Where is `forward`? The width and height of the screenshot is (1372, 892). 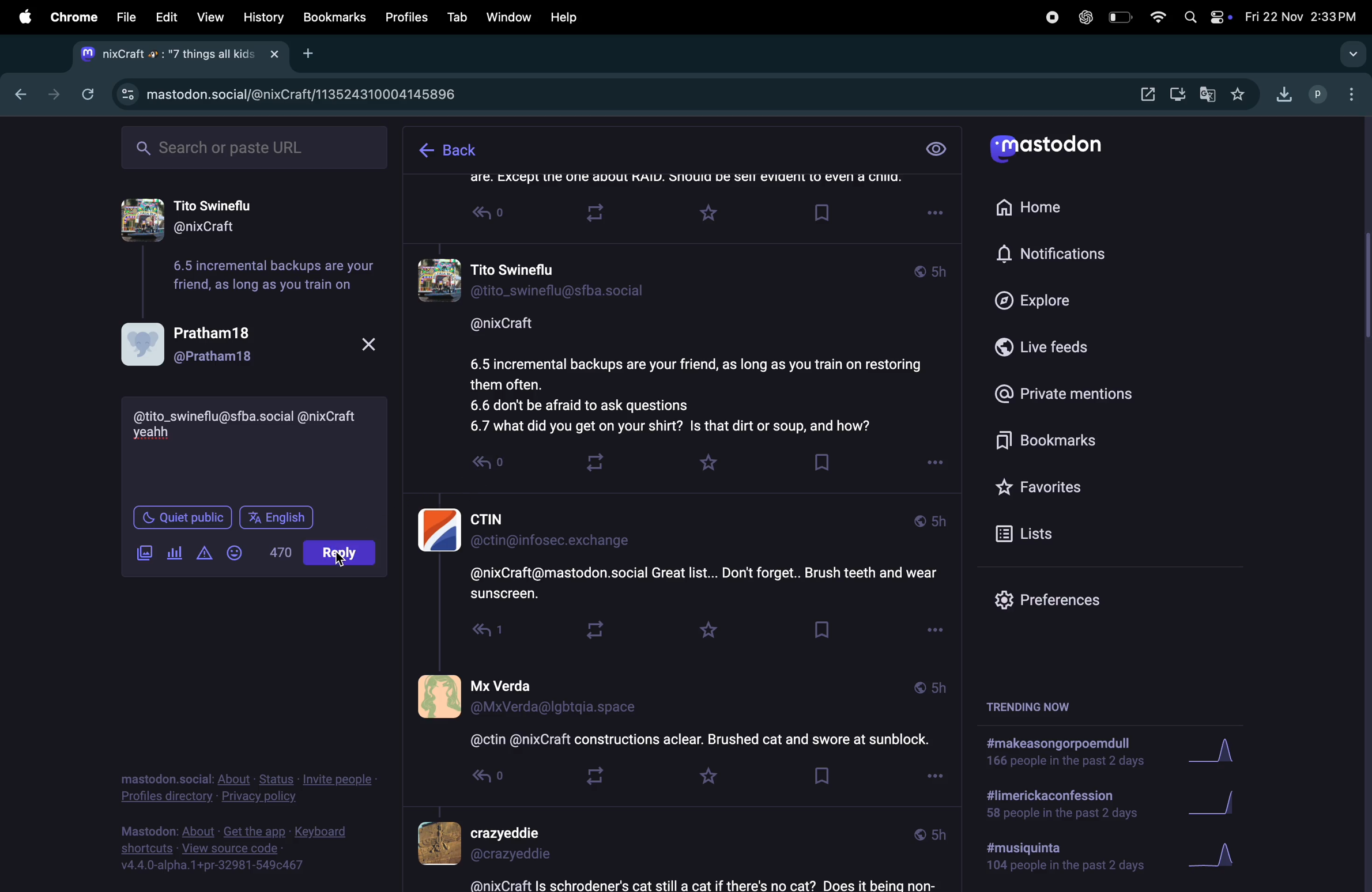 forward is located at coordinates (52, 93).